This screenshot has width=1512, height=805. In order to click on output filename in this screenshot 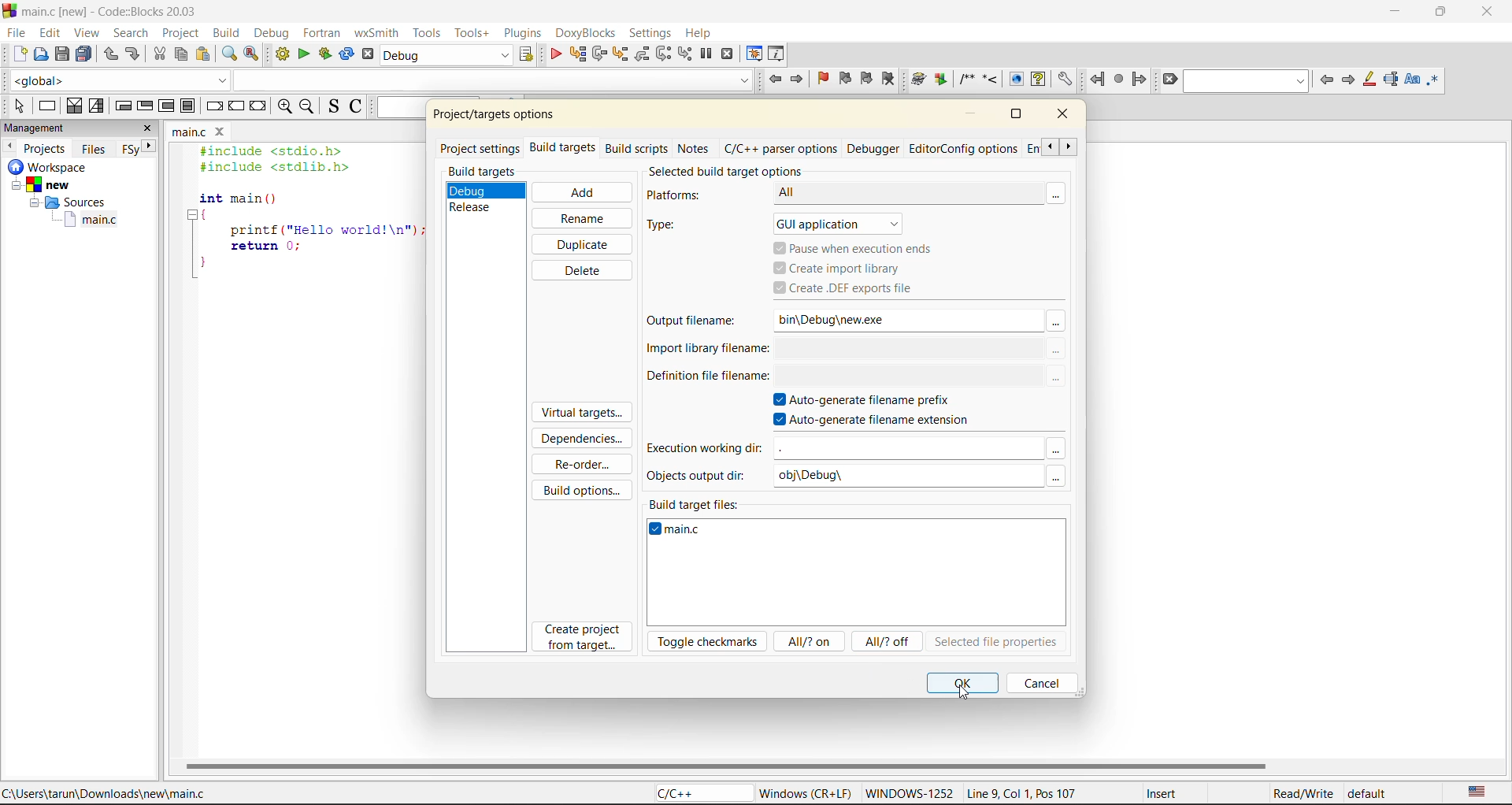, I will do `click(693, 321)`.